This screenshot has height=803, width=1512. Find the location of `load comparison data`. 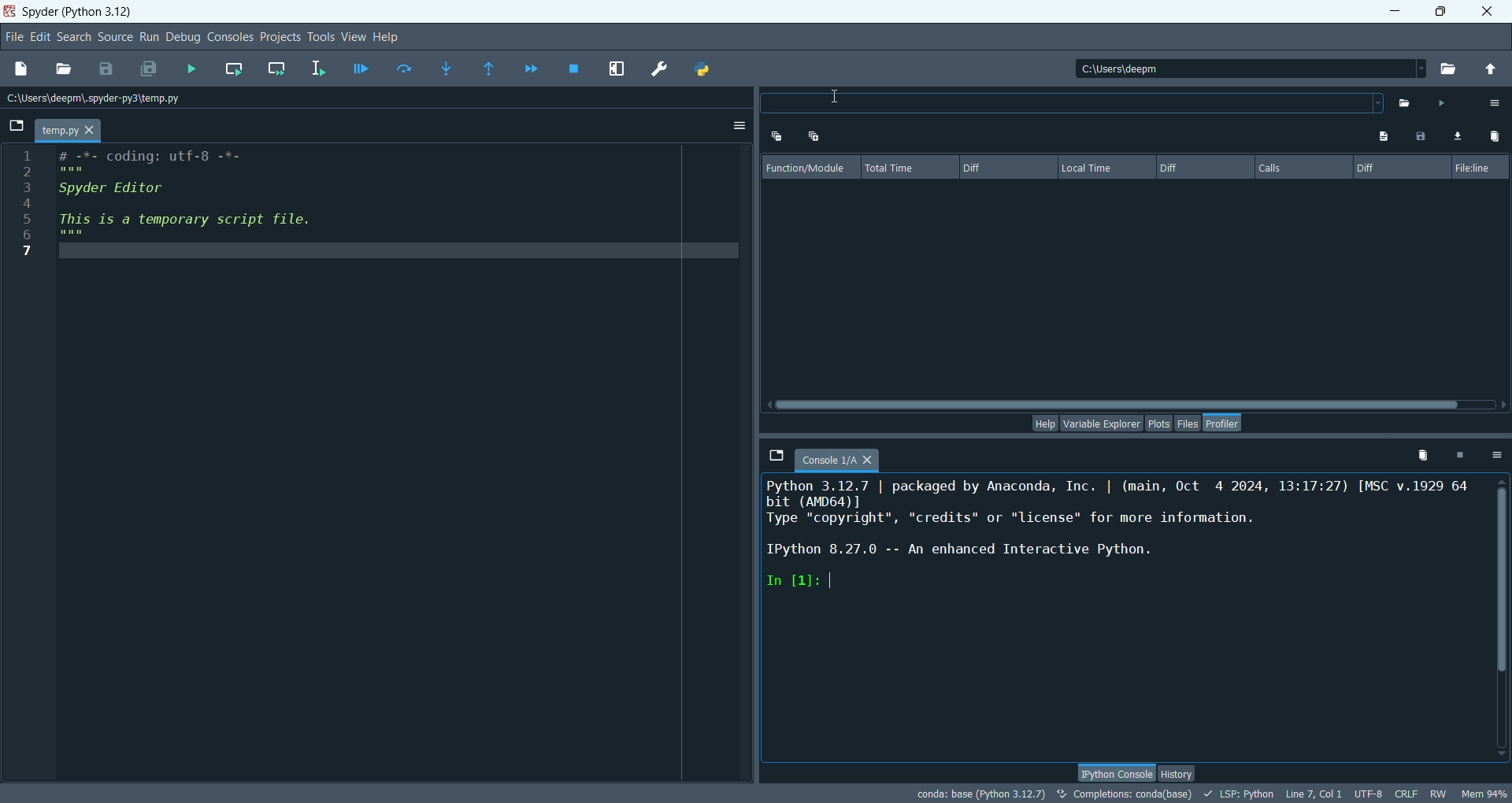

load comparison data is located at coordinates (1456, 135).